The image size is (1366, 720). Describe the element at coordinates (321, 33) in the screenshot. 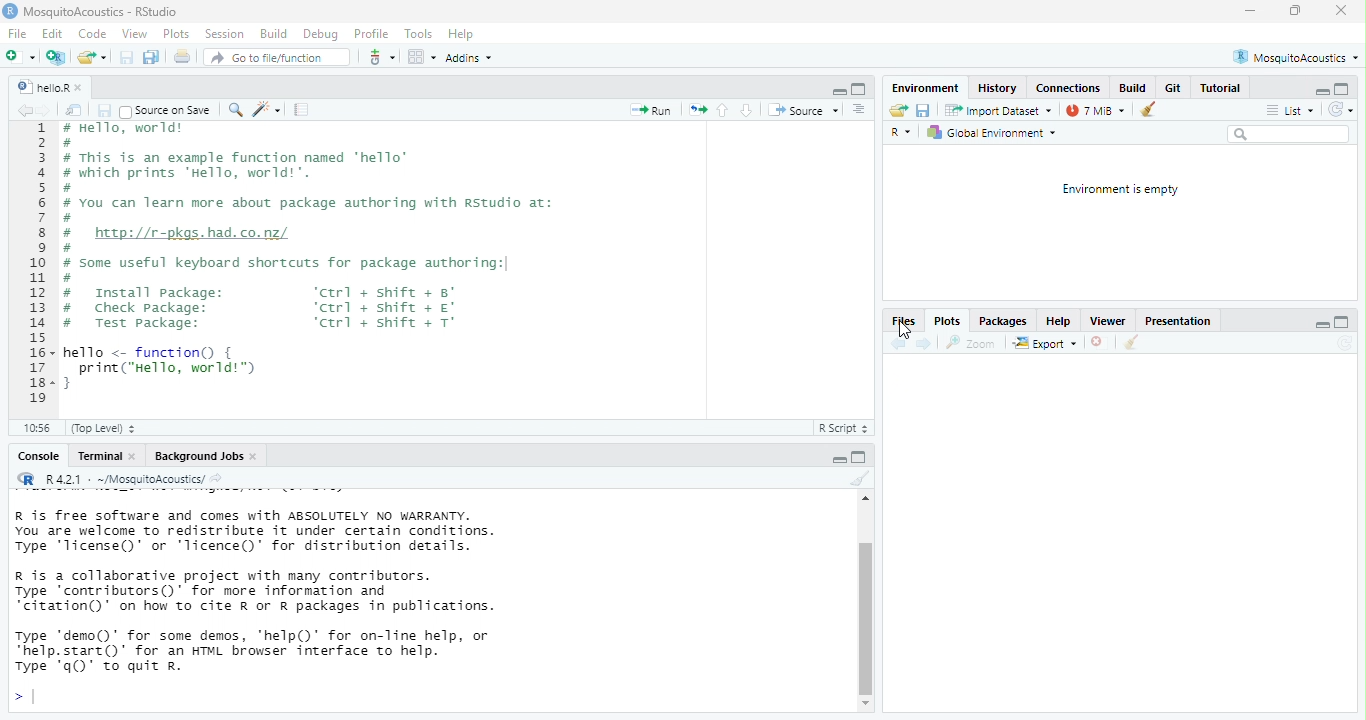

I see `Debug` at that location.